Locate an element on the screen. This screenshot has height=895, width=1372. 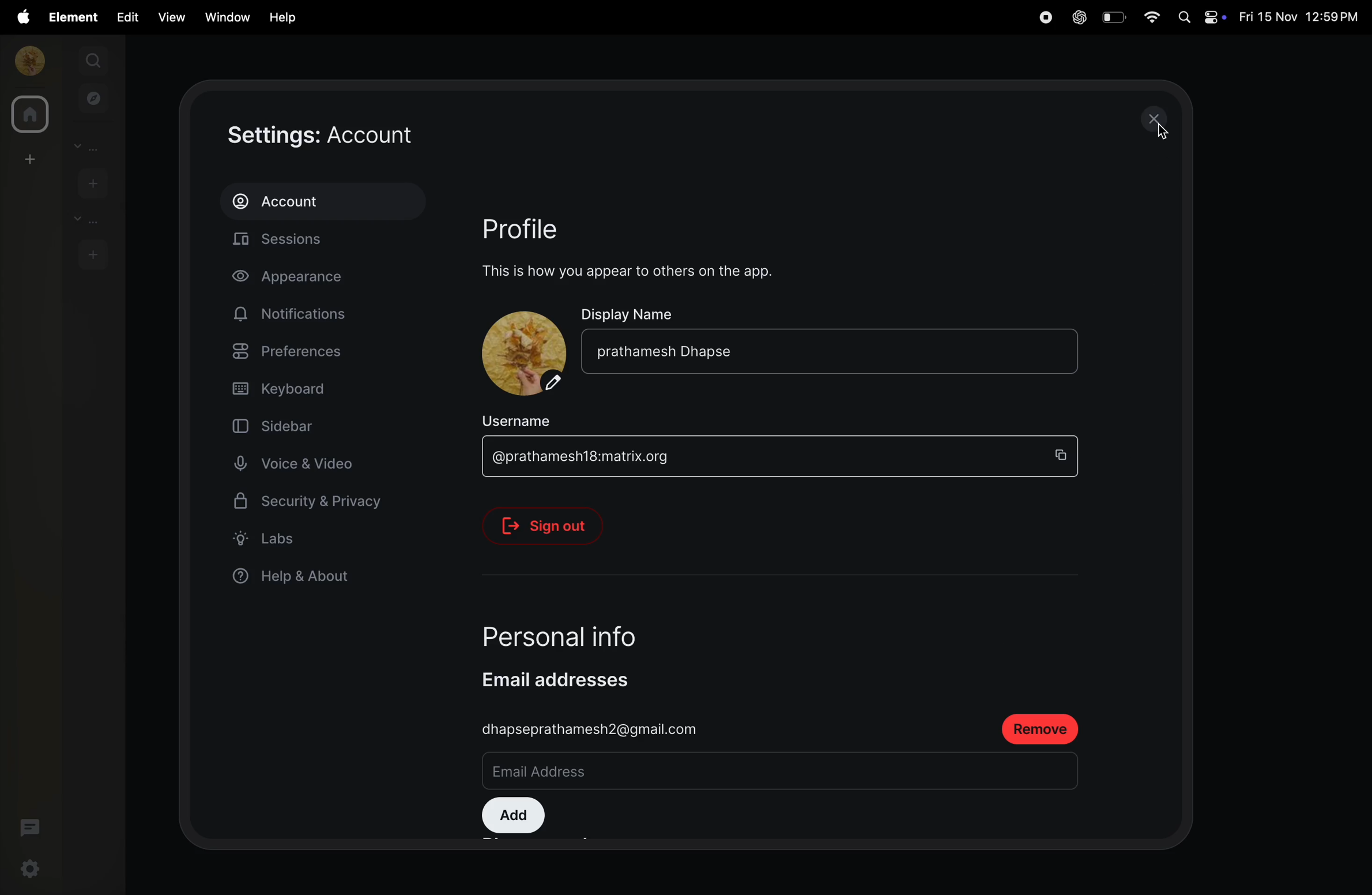
add rooms is located at coordinates (93, 253).